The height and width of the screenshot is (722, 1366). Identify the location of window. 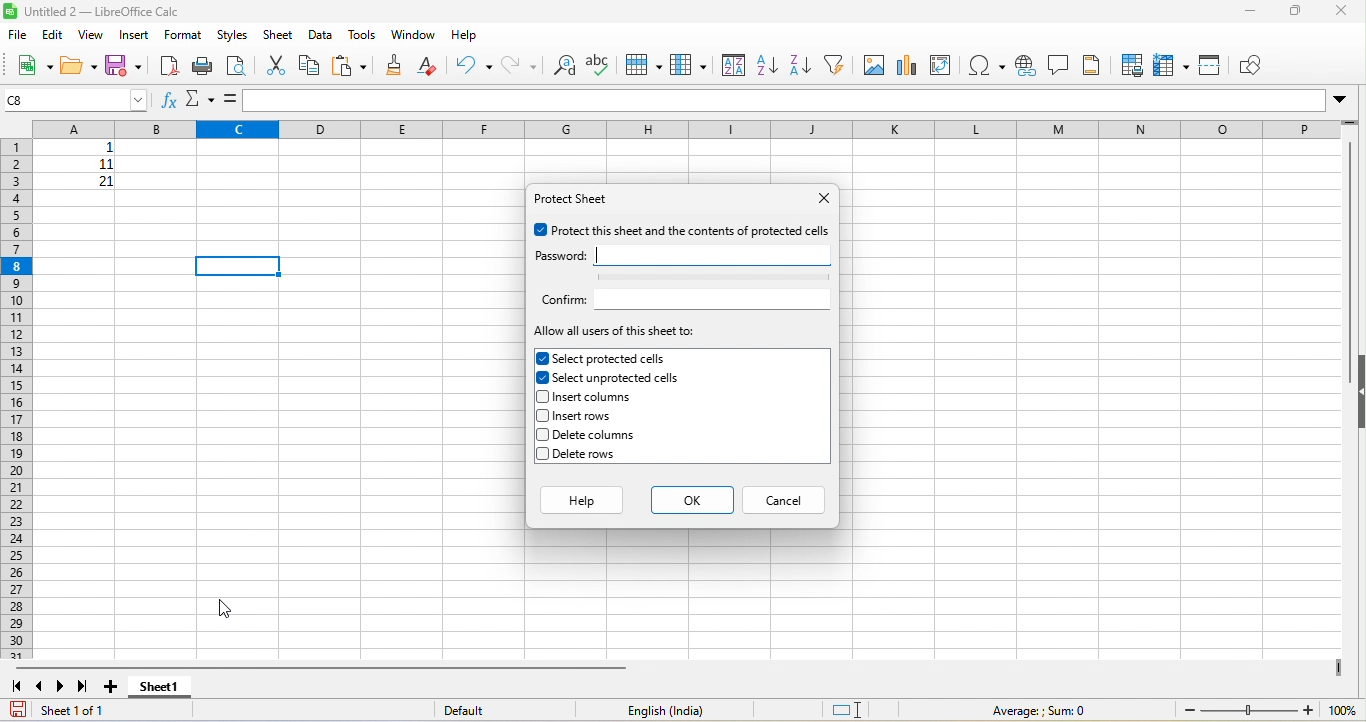
(412, 36).